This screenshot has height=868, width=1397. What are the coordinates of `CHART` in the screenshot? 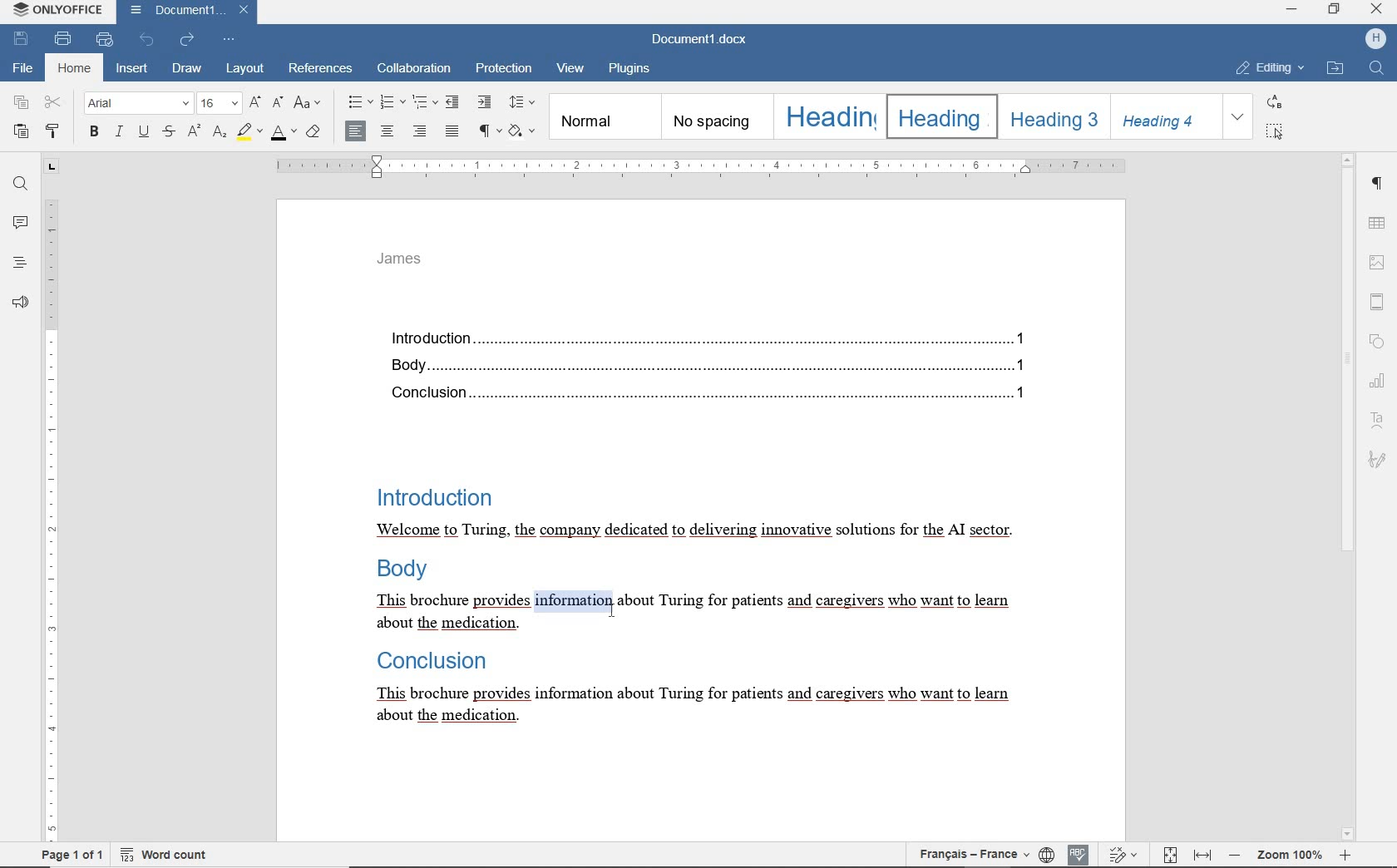 It's located at (1378, 379).